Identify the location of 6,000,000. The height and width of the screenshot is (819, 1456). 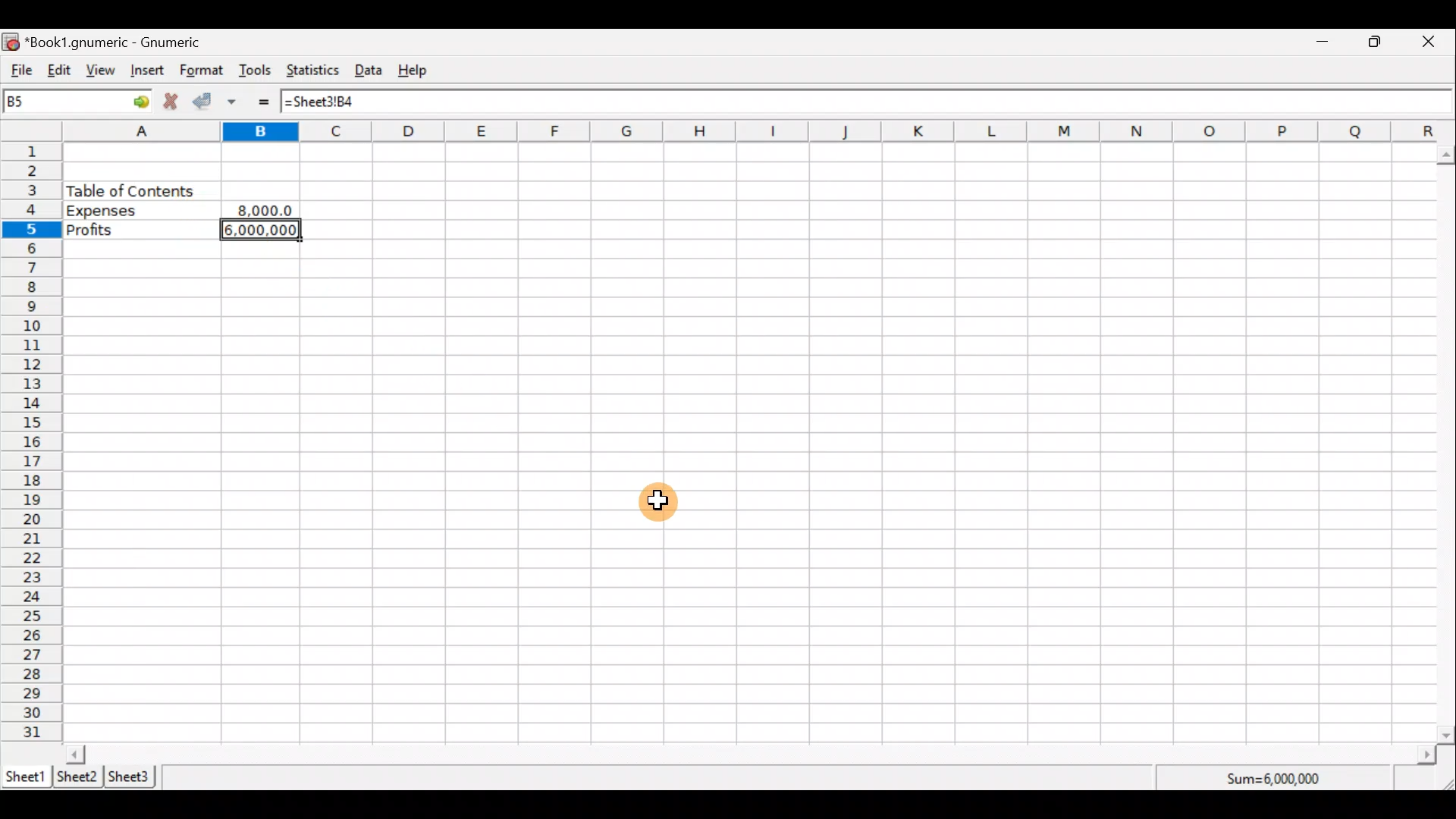
(265, 232).